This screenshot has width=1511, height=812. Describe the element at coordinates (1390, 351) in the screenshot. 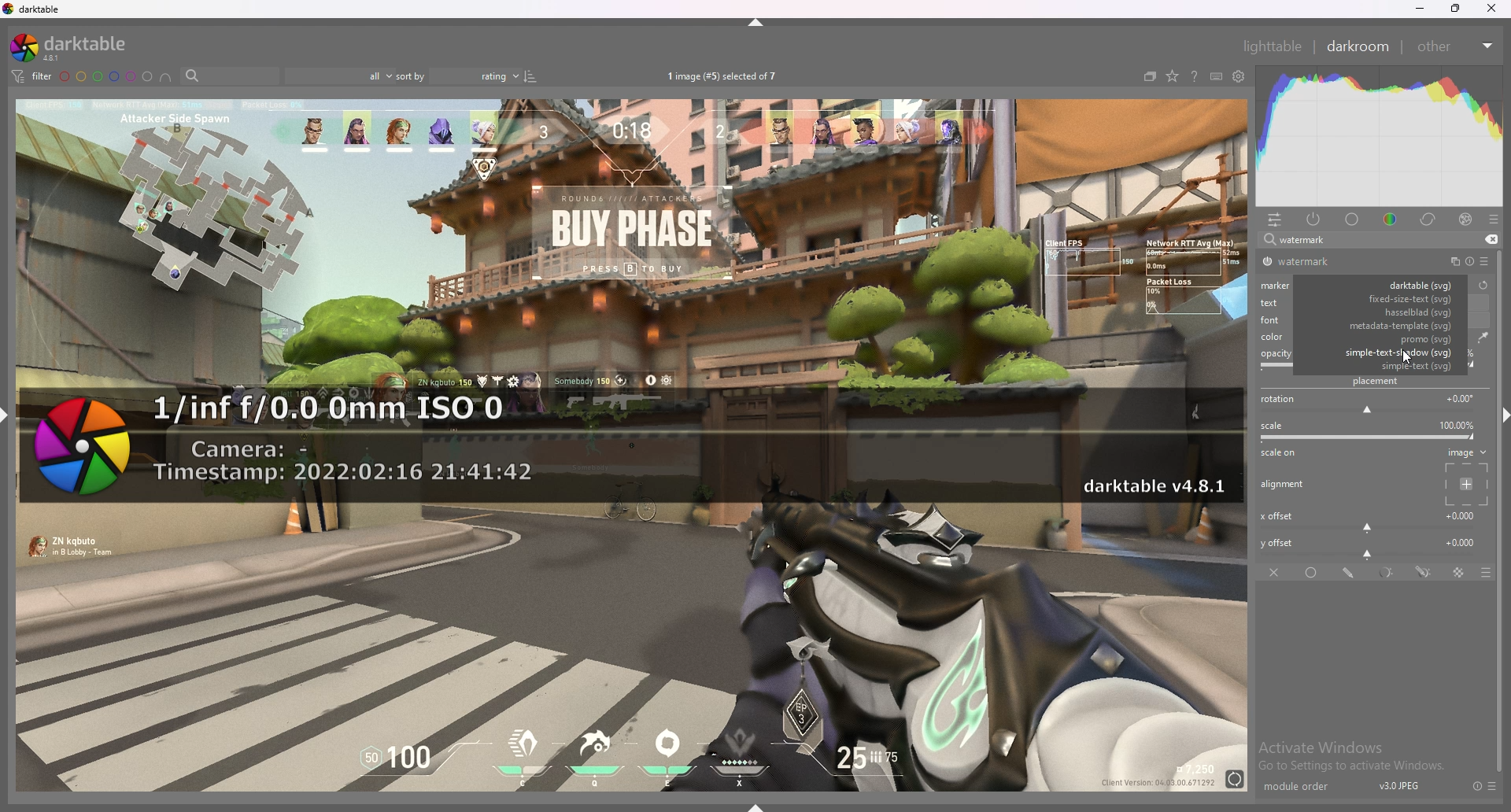

I see `simple text shadow svg` at that location.